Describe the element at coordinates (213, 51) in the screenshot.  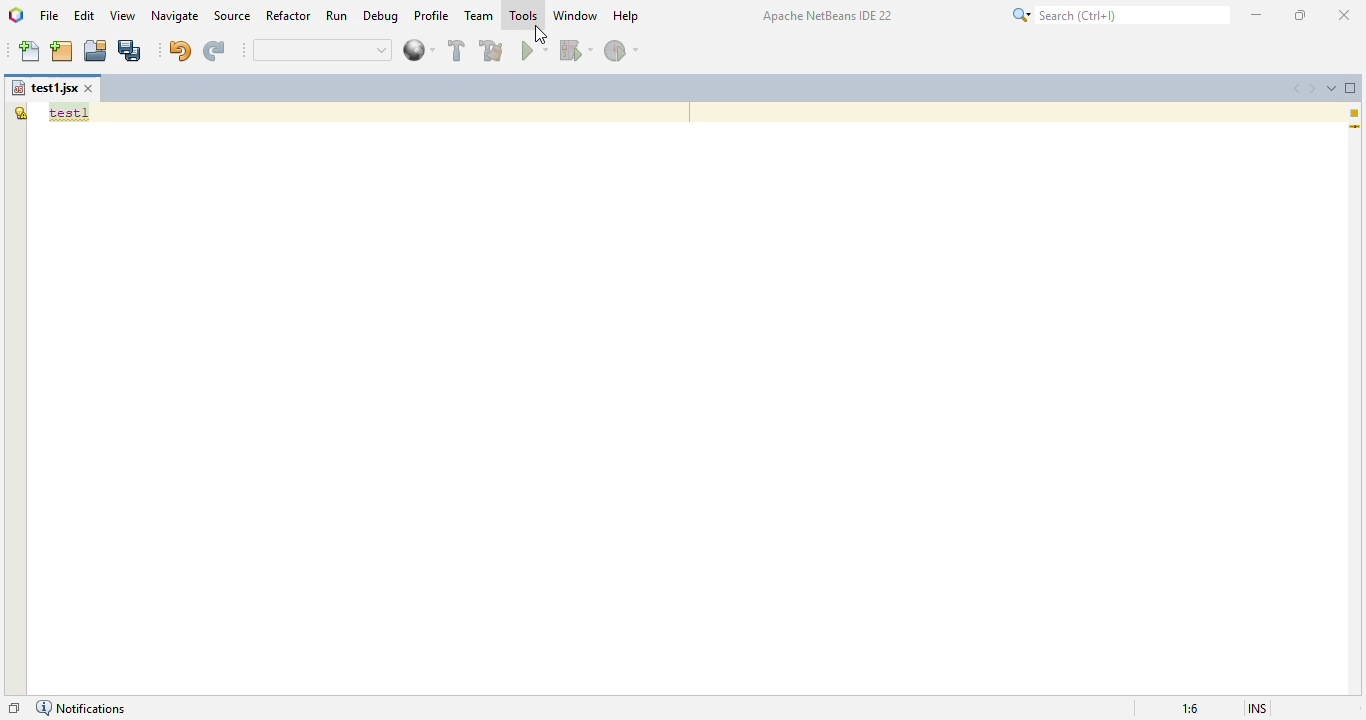
I see `redo` at that location.